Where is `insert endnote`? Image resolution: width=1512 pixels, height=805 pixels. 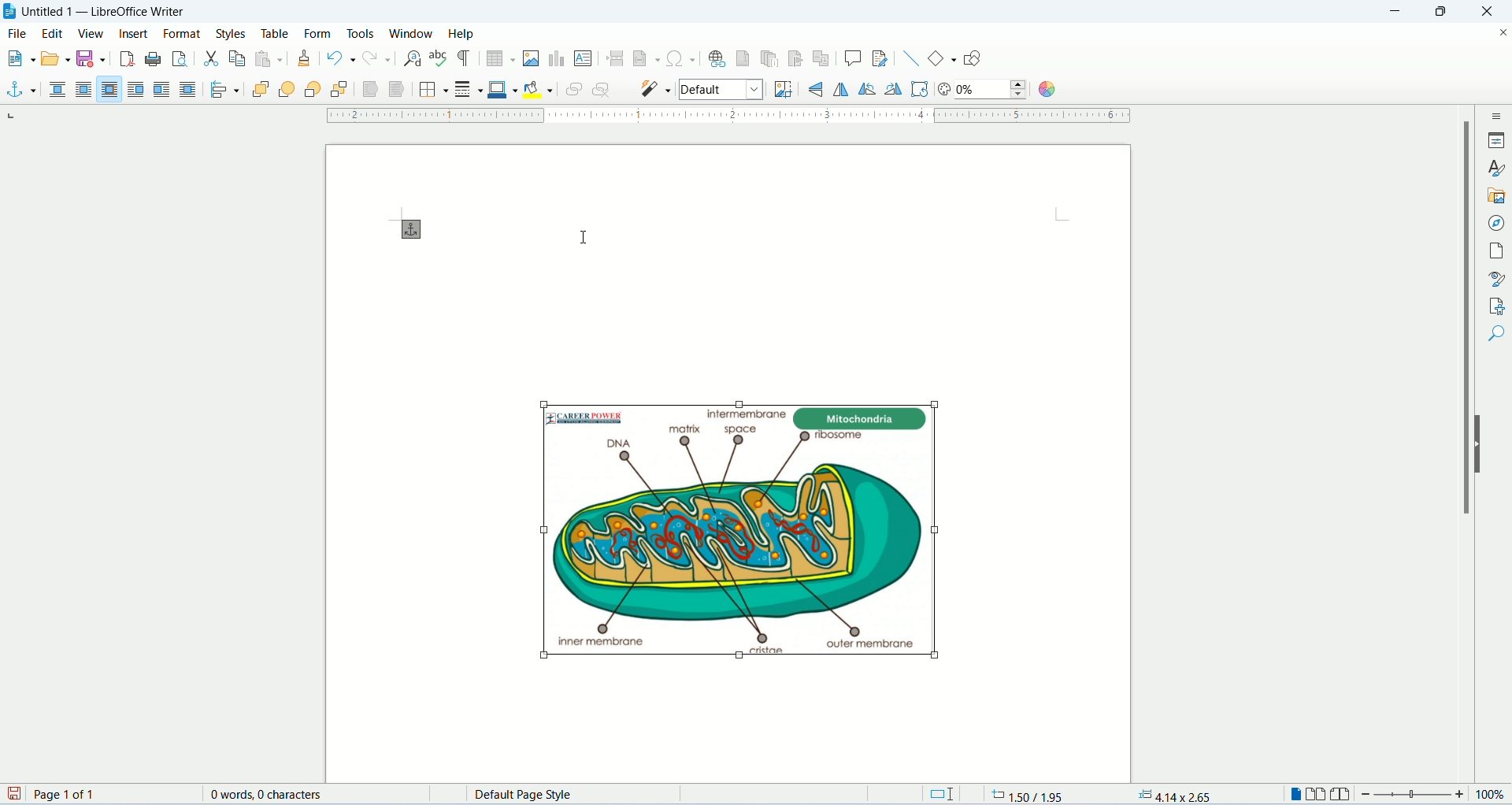 insert endnote is located at coordinates (770, 58).